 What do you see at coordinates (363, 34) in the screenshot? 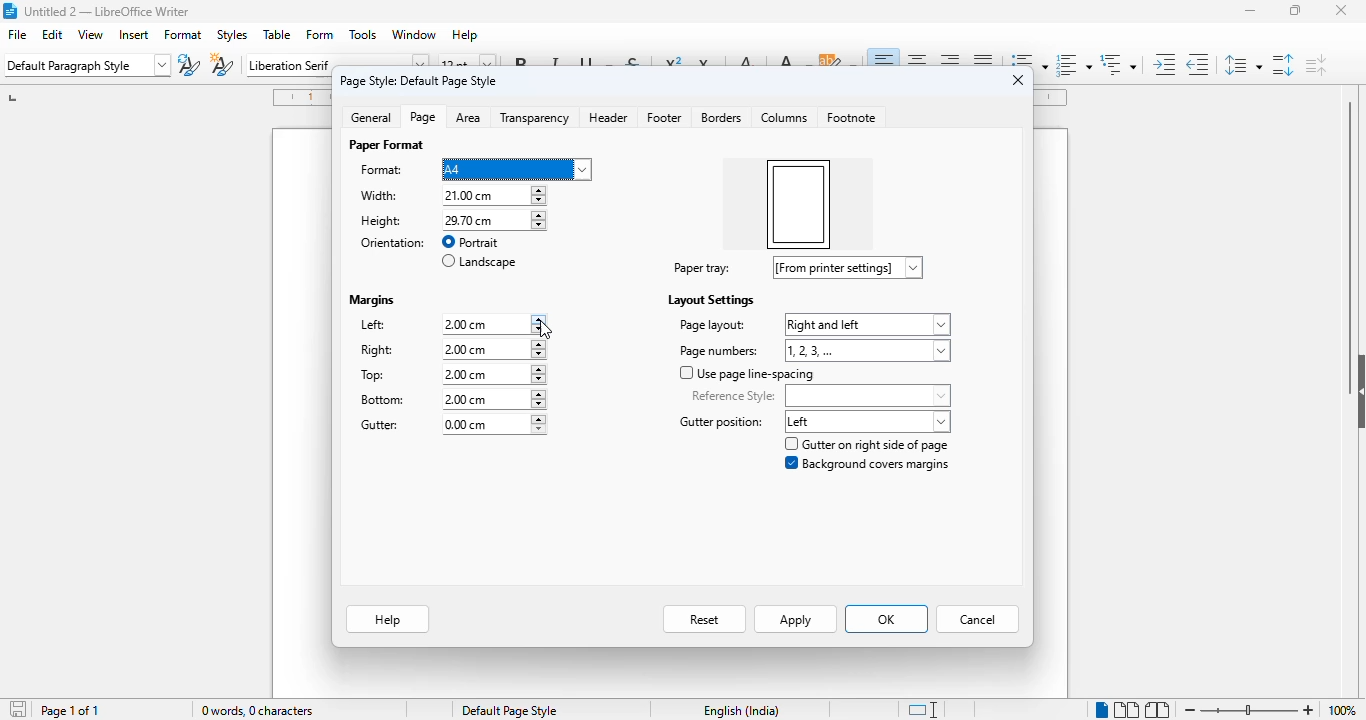
I see `tools` at bounding box center [363, 34].